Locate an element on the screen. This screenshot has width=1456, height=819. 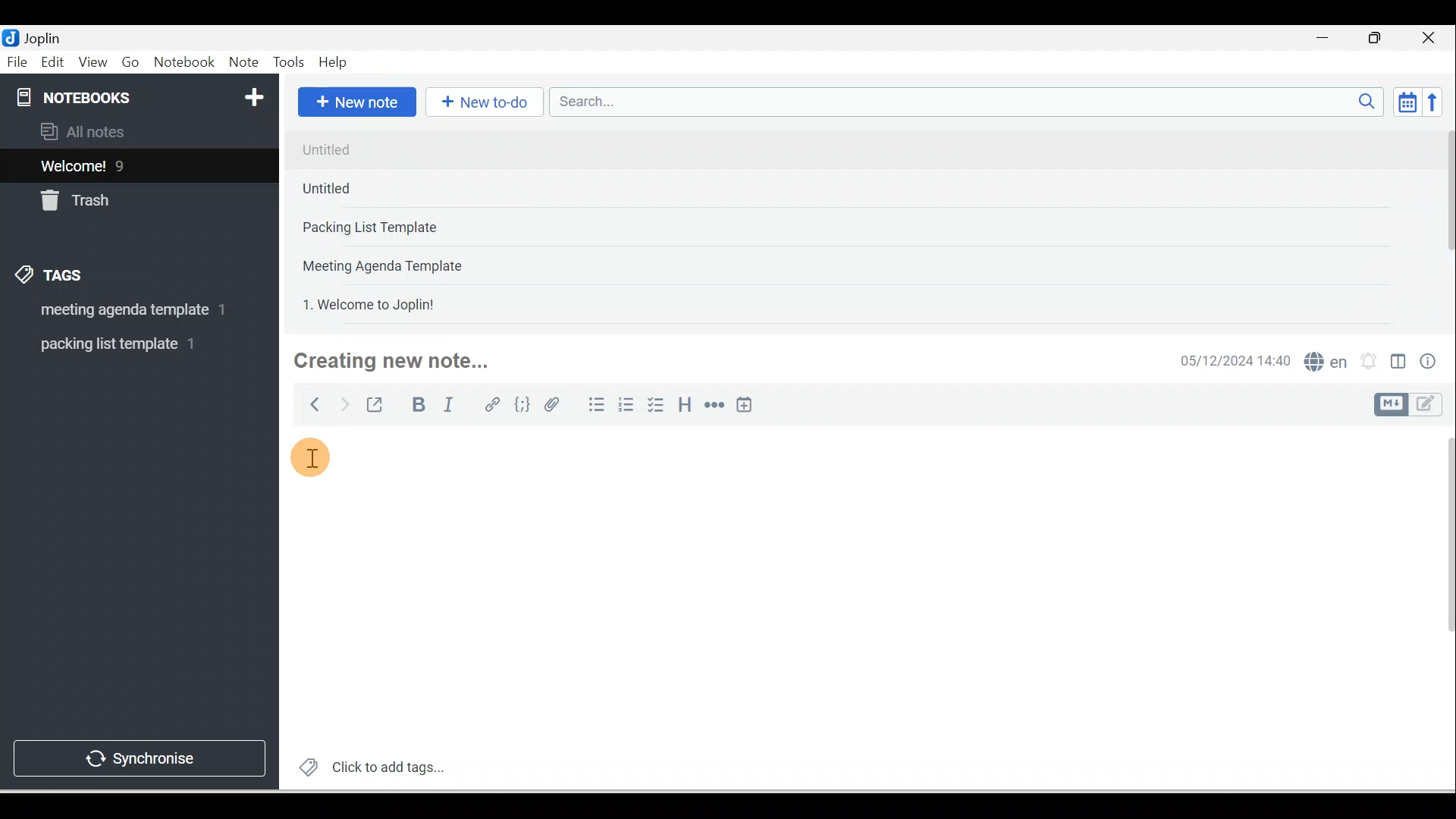
Checkbox is located at coordinates (654, 405).